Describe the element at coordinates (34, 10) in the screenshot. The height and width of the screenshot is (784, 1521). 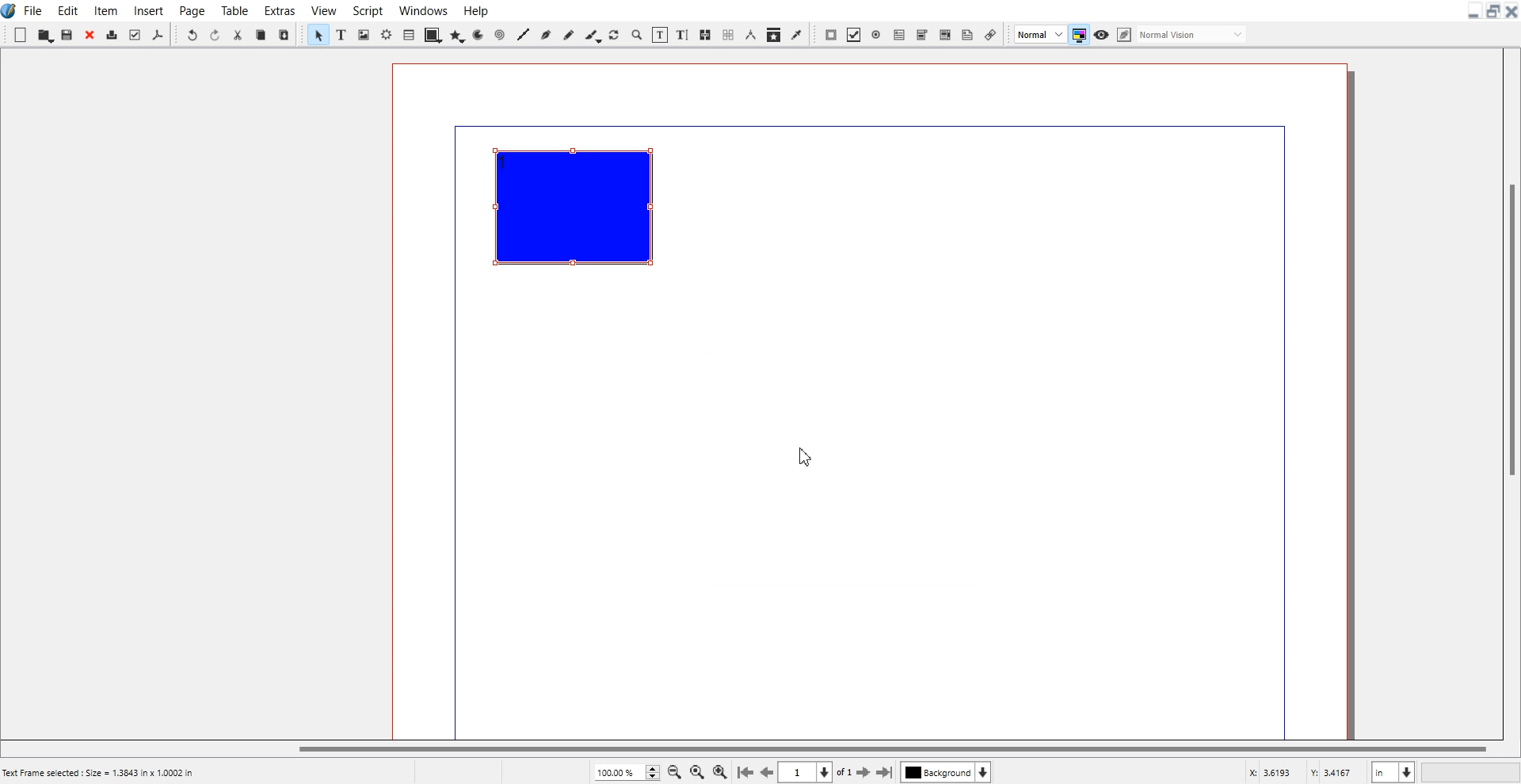
I see `File` at that location.